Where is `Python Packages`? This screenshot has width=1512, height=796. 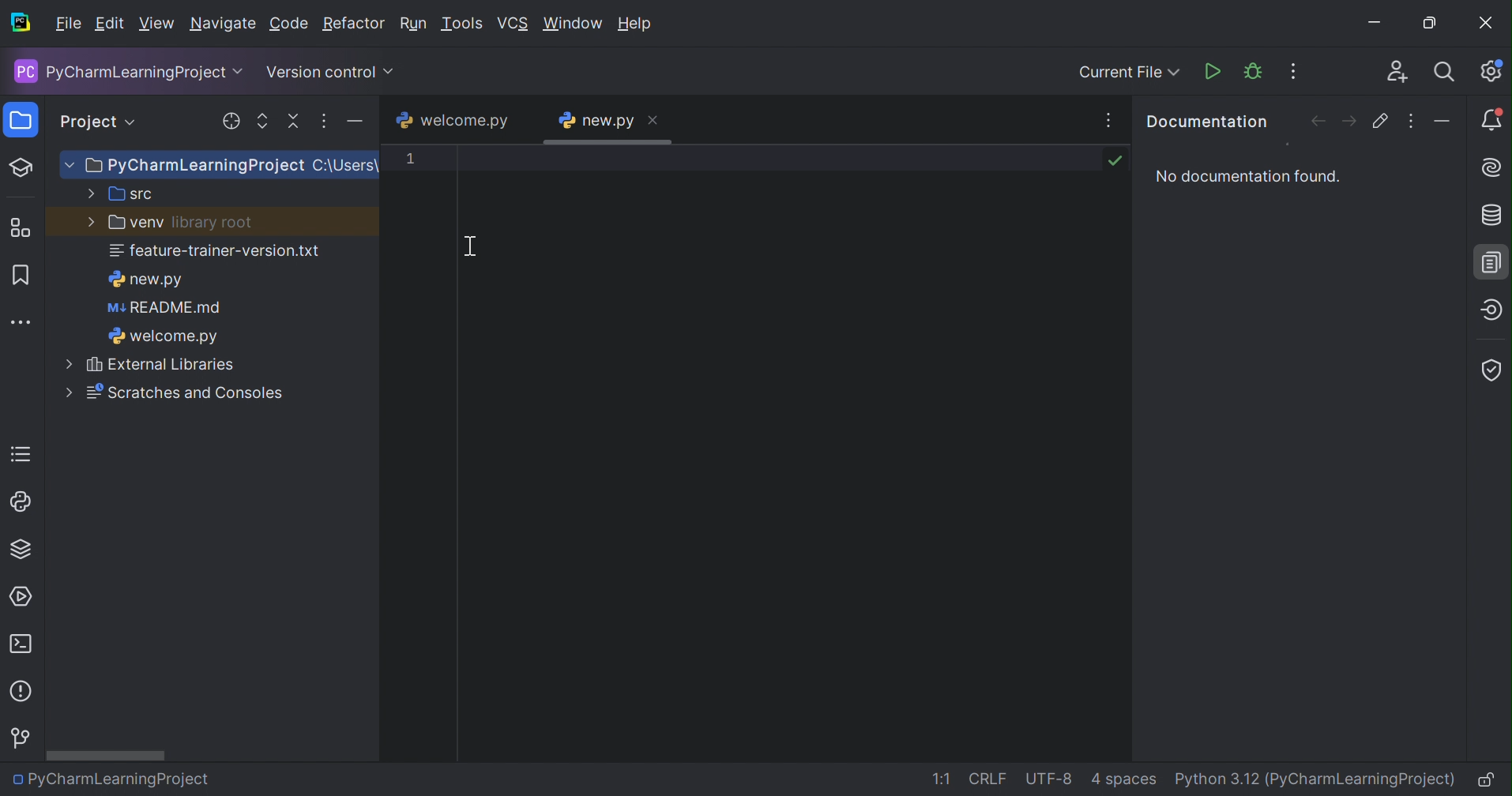
Python Packages is located at coordinates (19, 551).